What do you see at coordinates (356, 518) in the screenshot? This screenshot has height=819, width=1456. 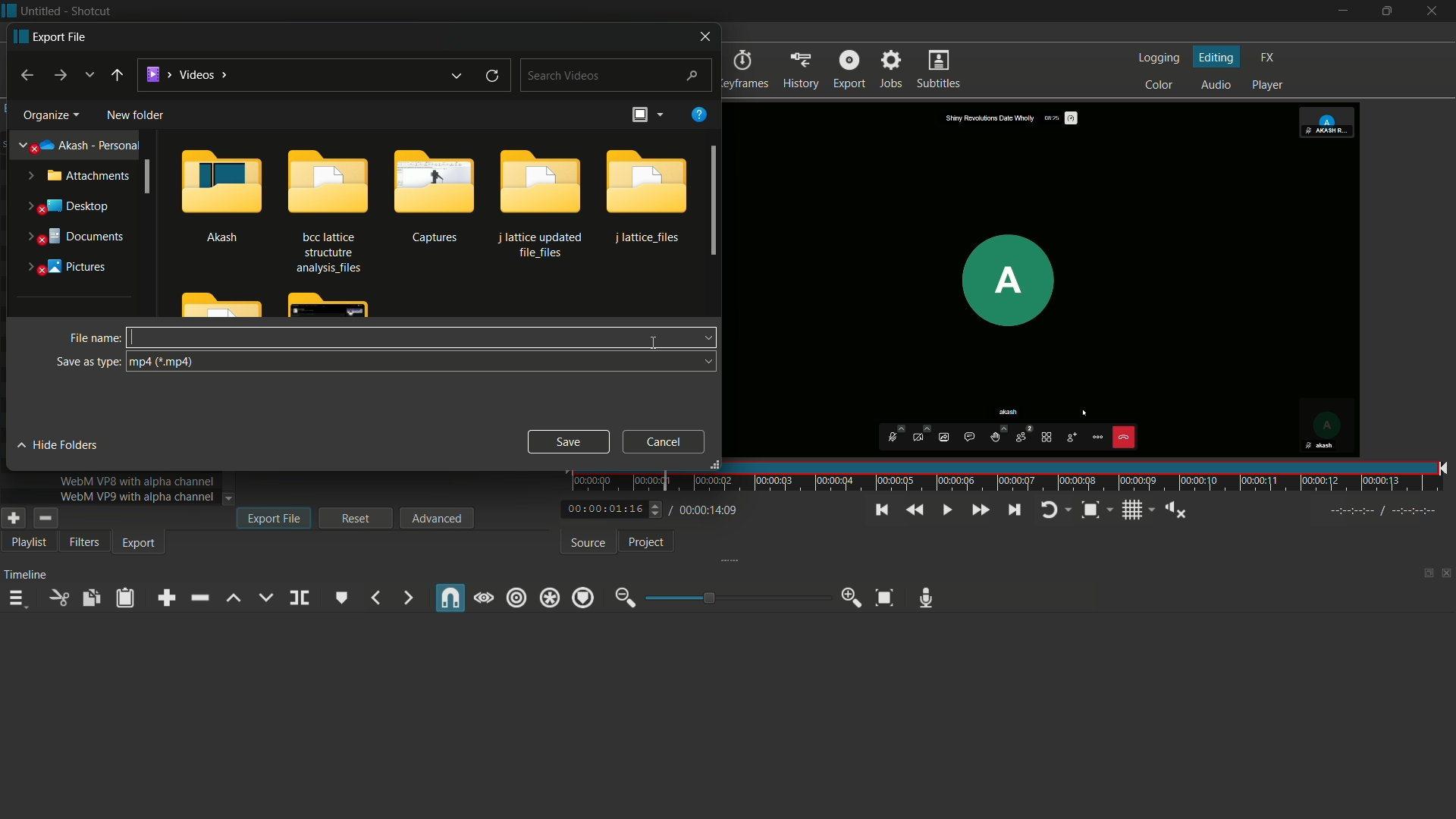 I see `reset` at bounding box center [356, 518].